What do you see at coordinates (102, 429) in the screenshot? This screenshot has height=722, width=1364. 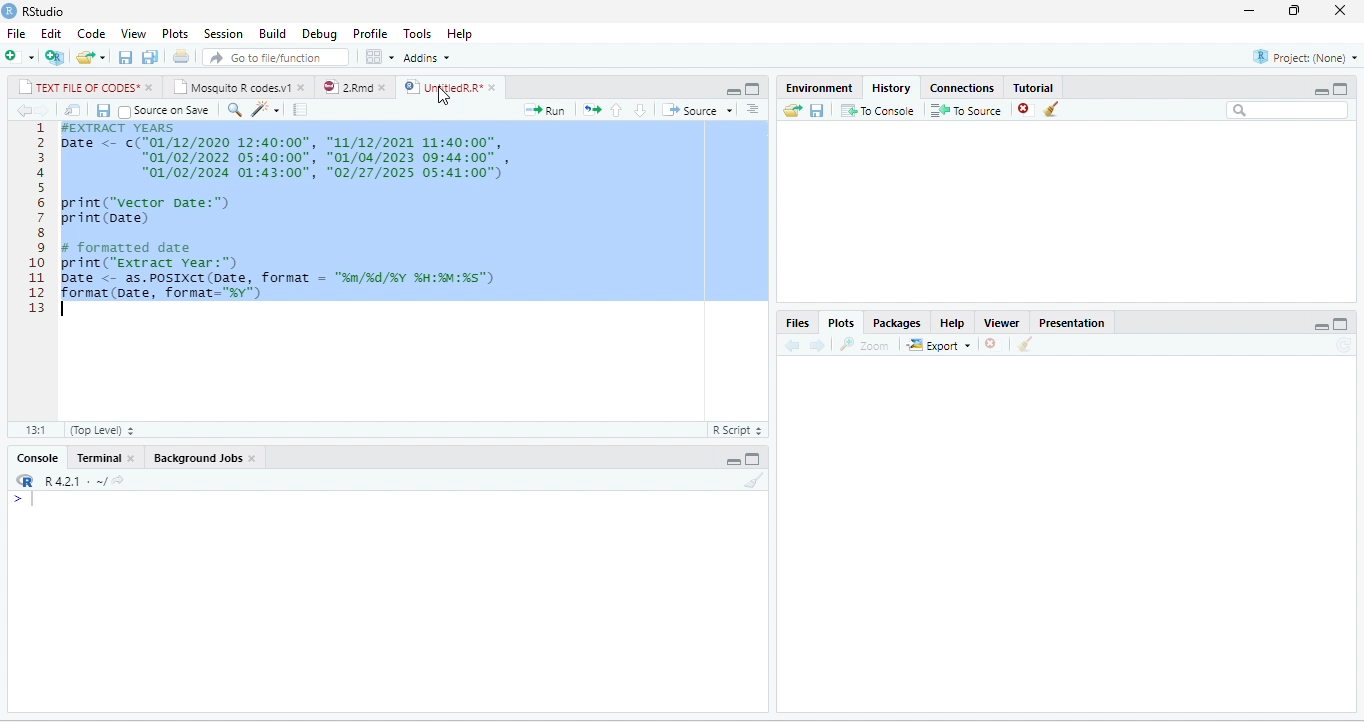 I see `Top Level` at bounding box center [102, 429].